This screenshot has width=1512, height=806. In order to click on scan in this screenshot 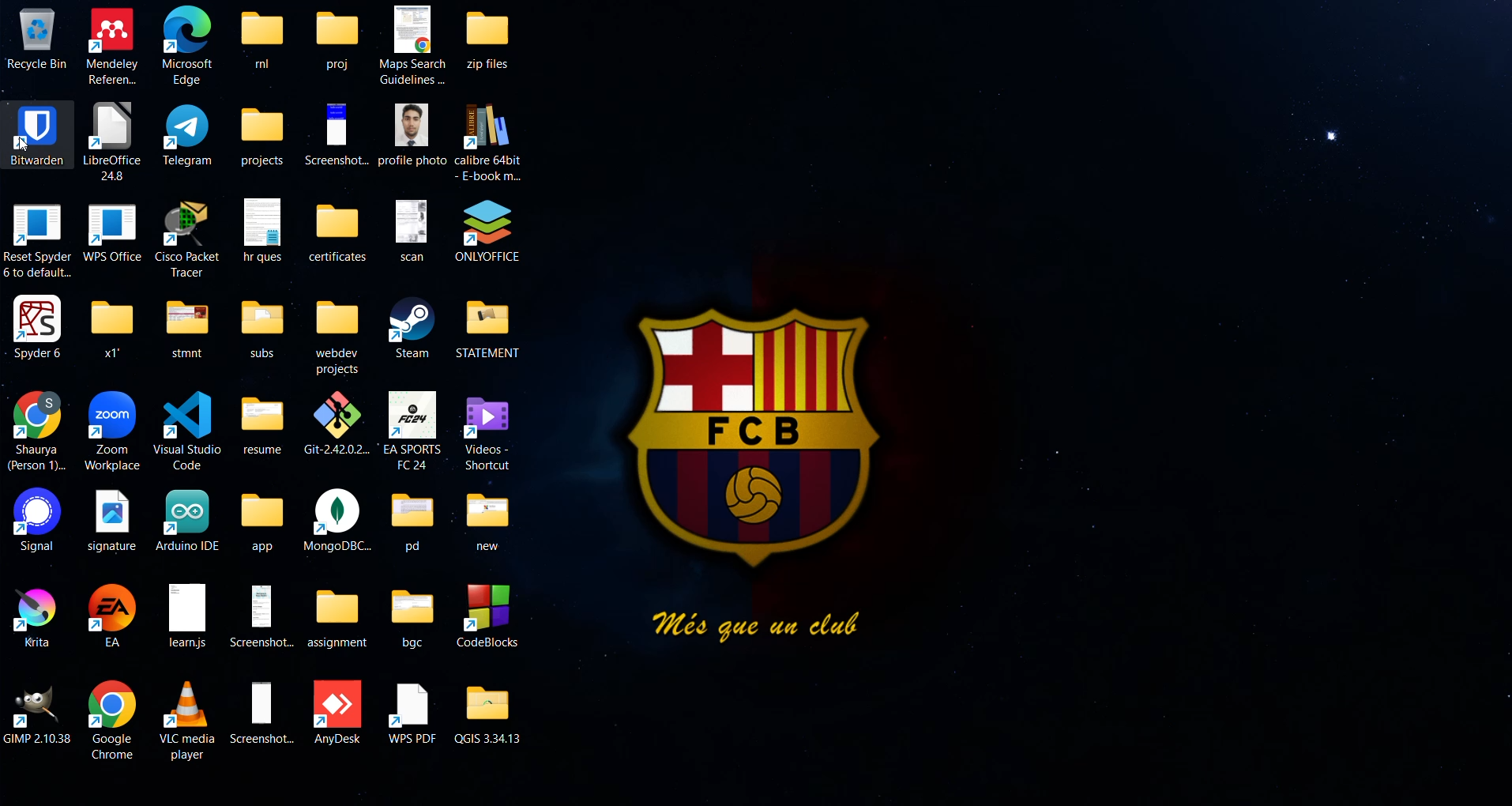, I will do `click(409, 229)`.